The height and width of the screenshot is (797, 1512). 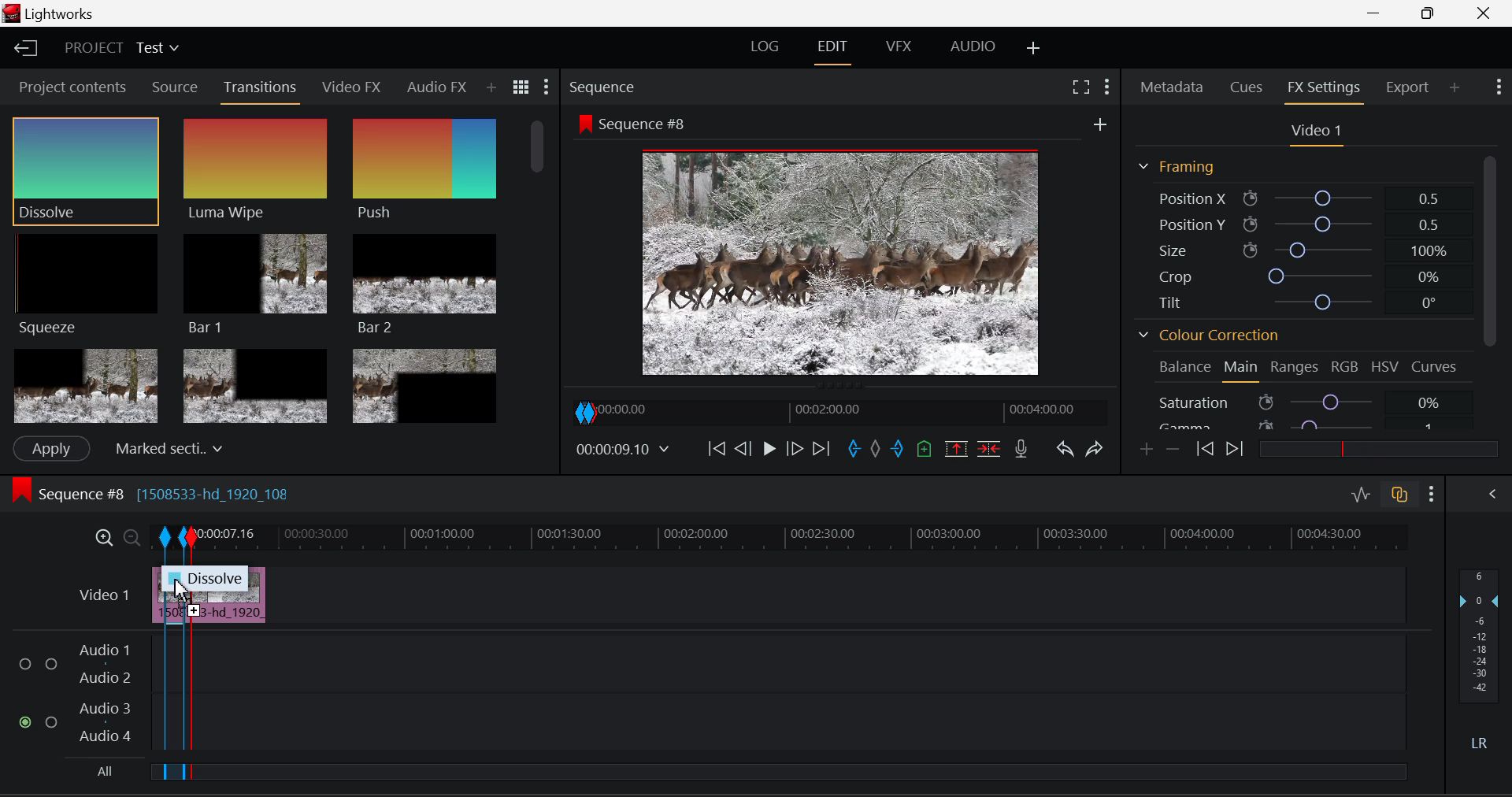 I want to click on Position Y, so click(x=1295, y=221).